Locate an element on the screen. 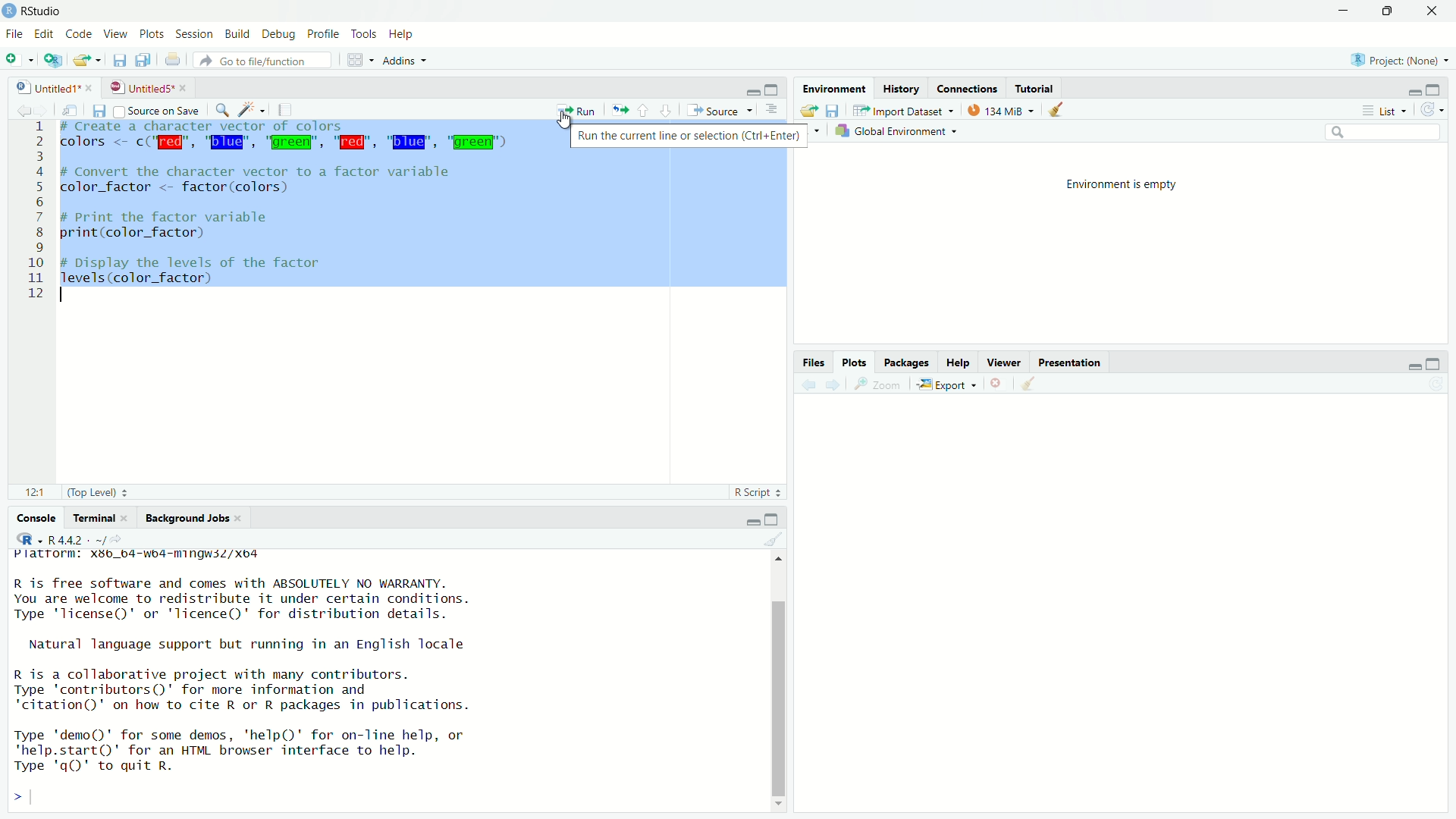  maximize is located at coordinates (1439, 88).